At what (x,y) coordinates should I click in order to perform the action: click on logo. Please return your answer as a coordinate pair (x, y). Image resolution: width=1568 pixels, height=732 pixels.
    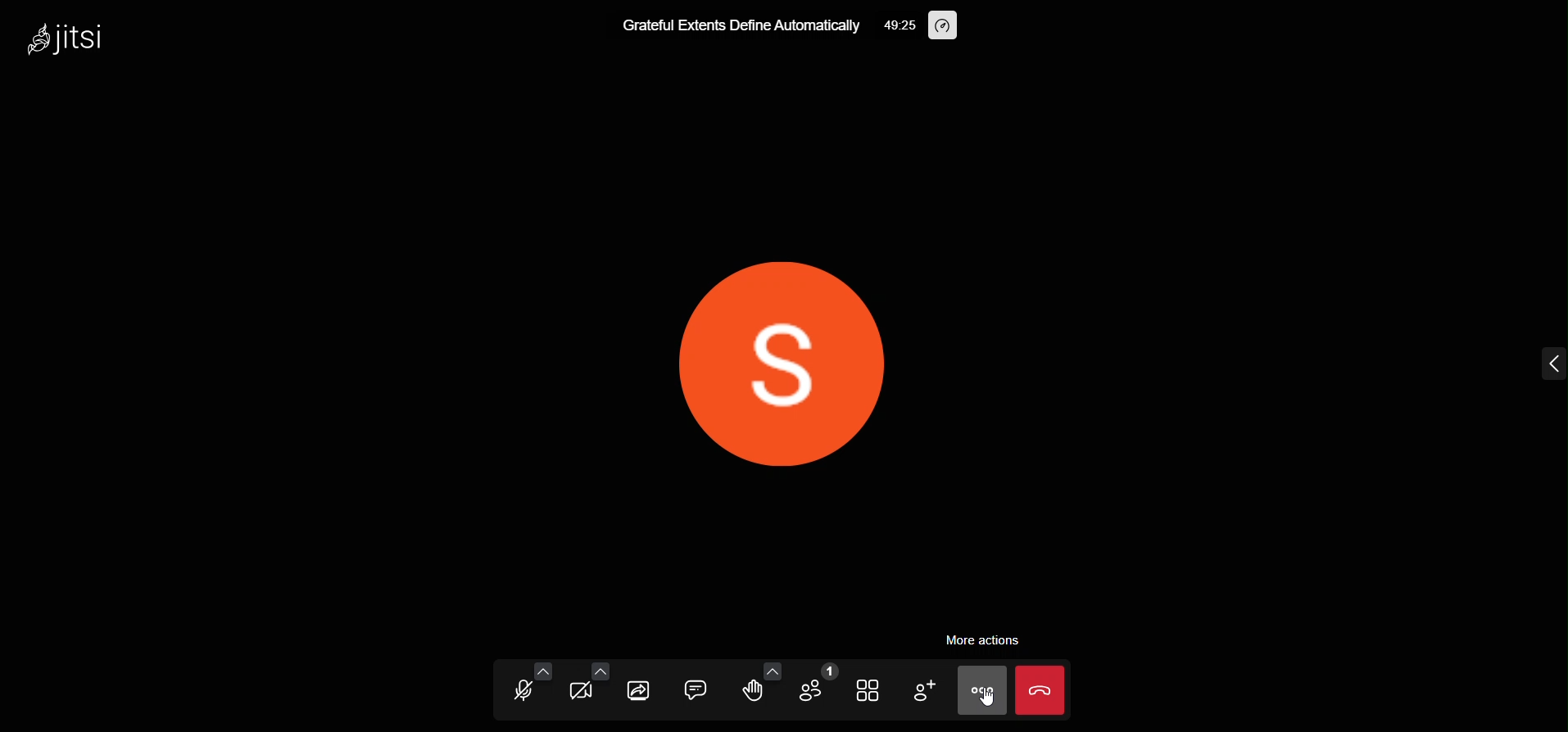
    Looking at the image, I should click on (71, 38).